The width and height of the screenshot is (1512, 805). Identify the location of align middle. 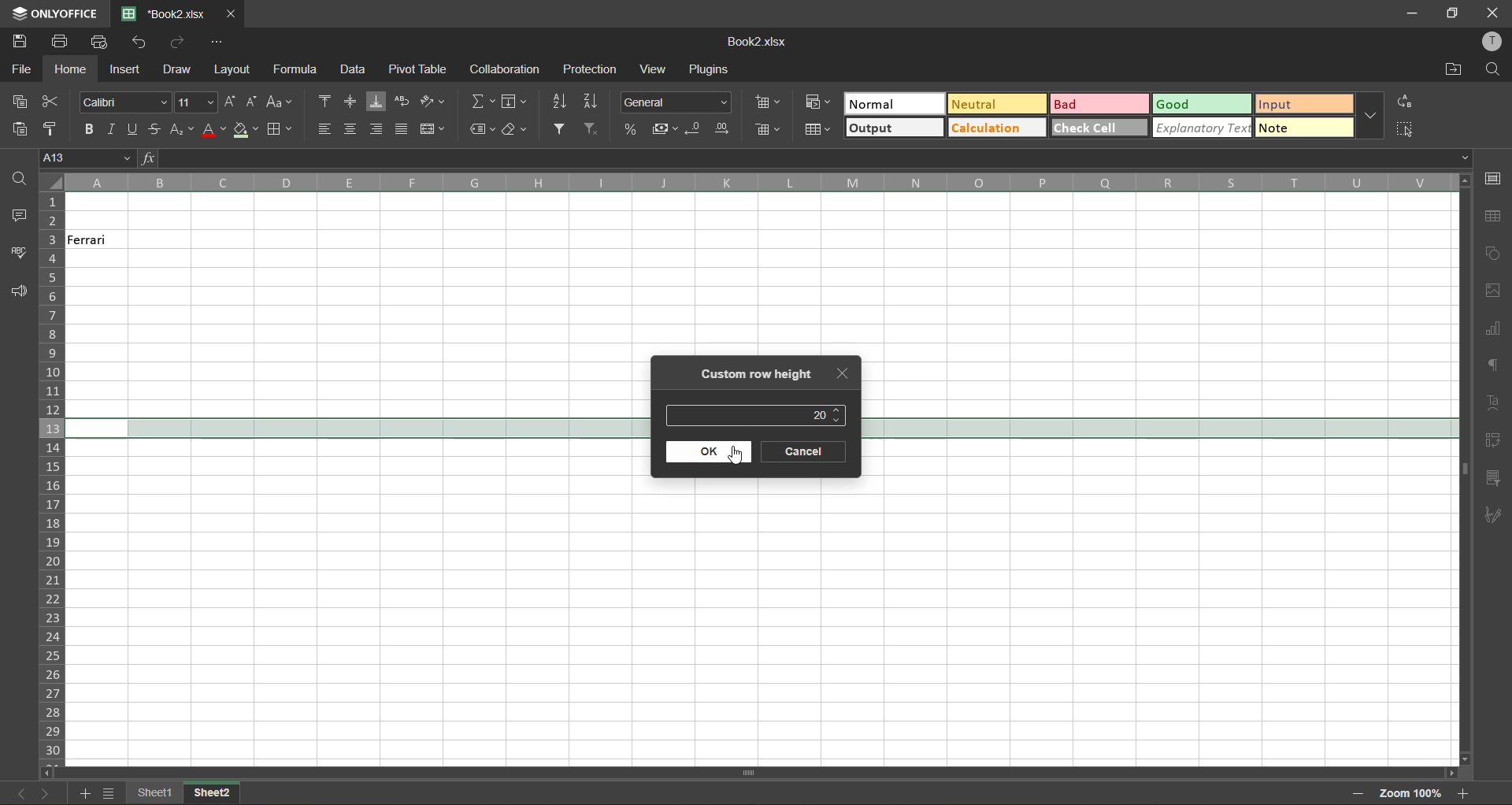
(349, 100).